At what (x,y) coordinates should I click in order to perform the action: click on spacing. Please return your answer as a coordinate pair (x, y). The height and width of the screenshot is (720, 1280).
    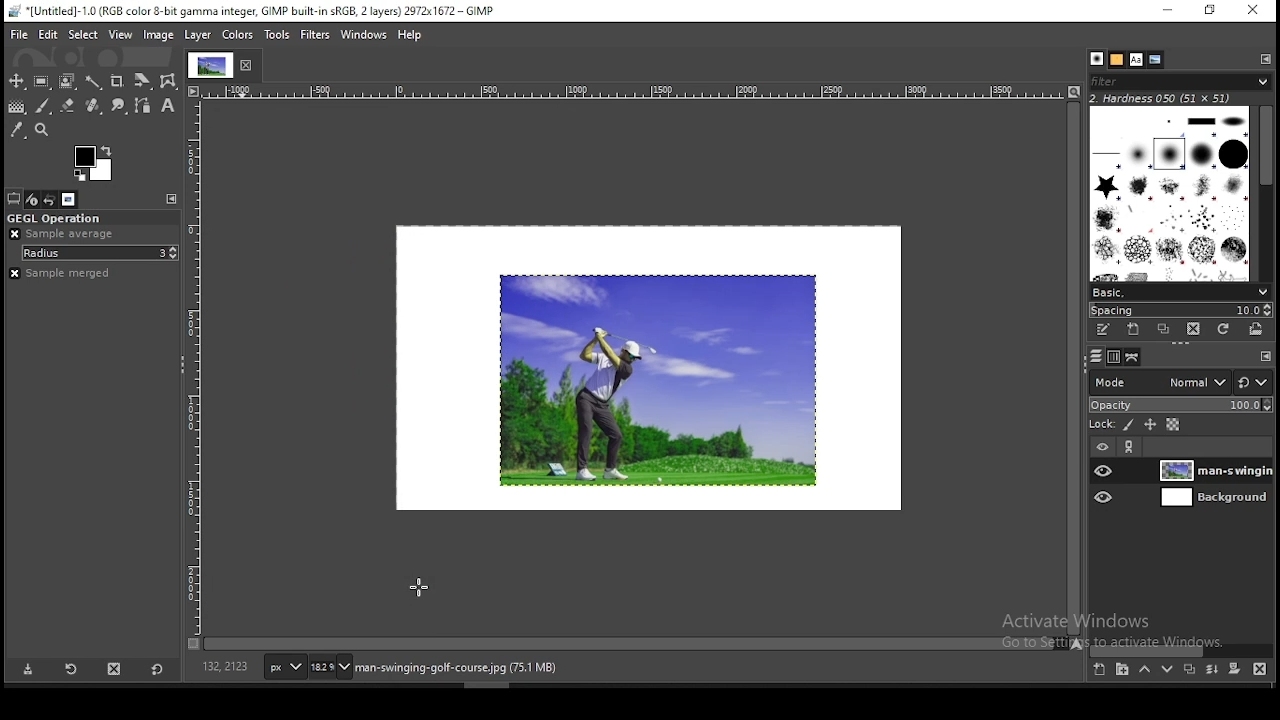
    Looking at the image, I should click on (1178, 310).